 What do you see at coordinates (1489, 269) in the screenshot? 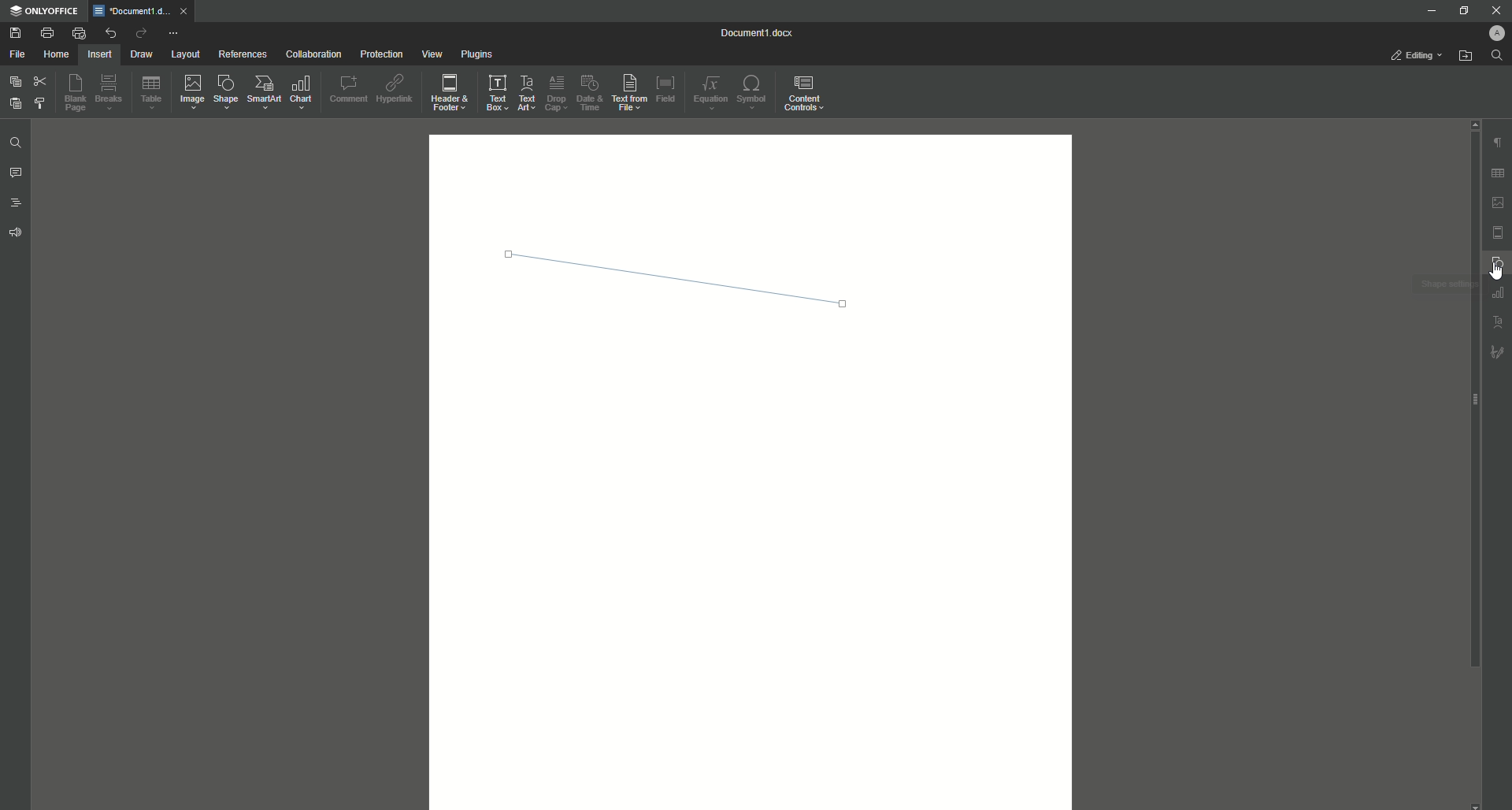
I see `pointer cursor` at bounding box center [1489, 269].